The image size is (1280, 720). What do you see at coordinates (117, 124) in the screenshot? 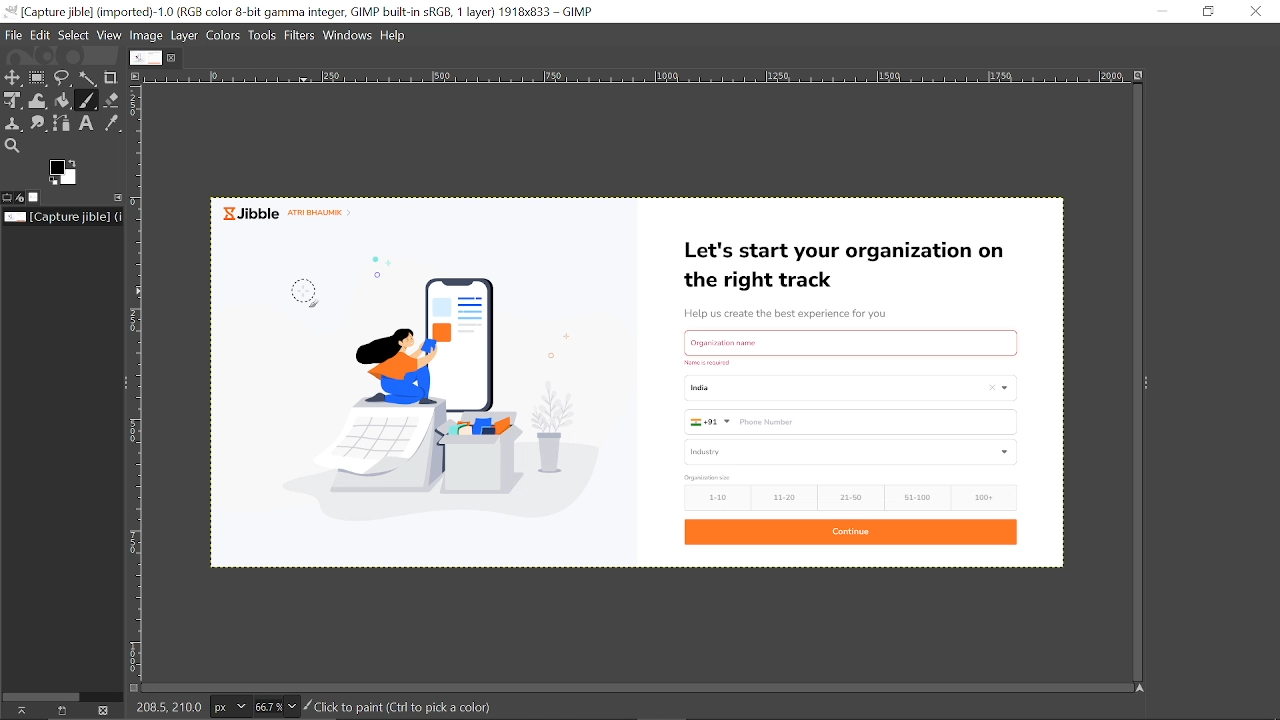
I see `Color picker tool` at bounding box center [117, 124].